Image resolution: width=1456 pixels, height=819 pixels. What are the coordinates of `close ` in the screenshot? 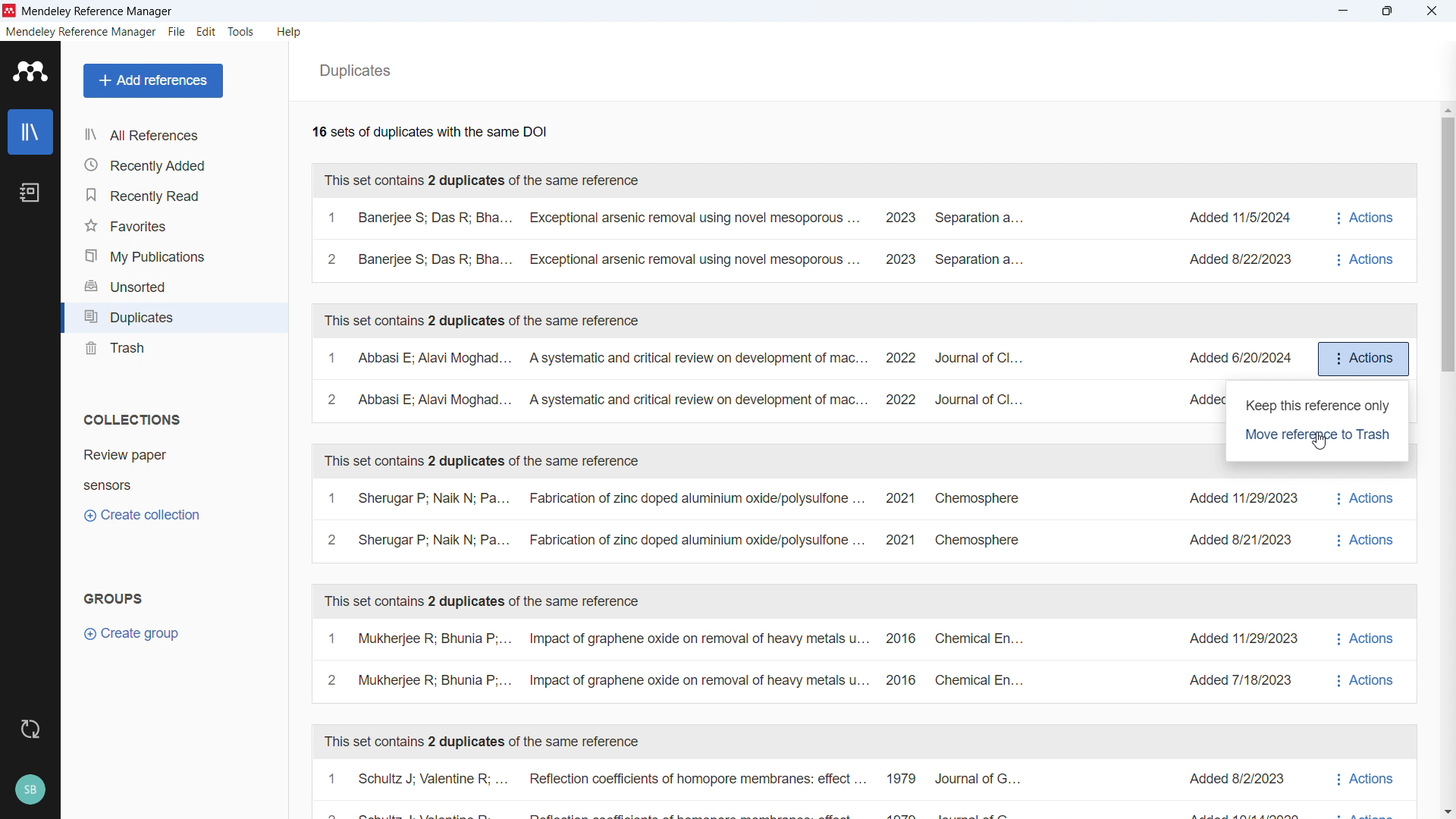 It's located at (1431, 11).